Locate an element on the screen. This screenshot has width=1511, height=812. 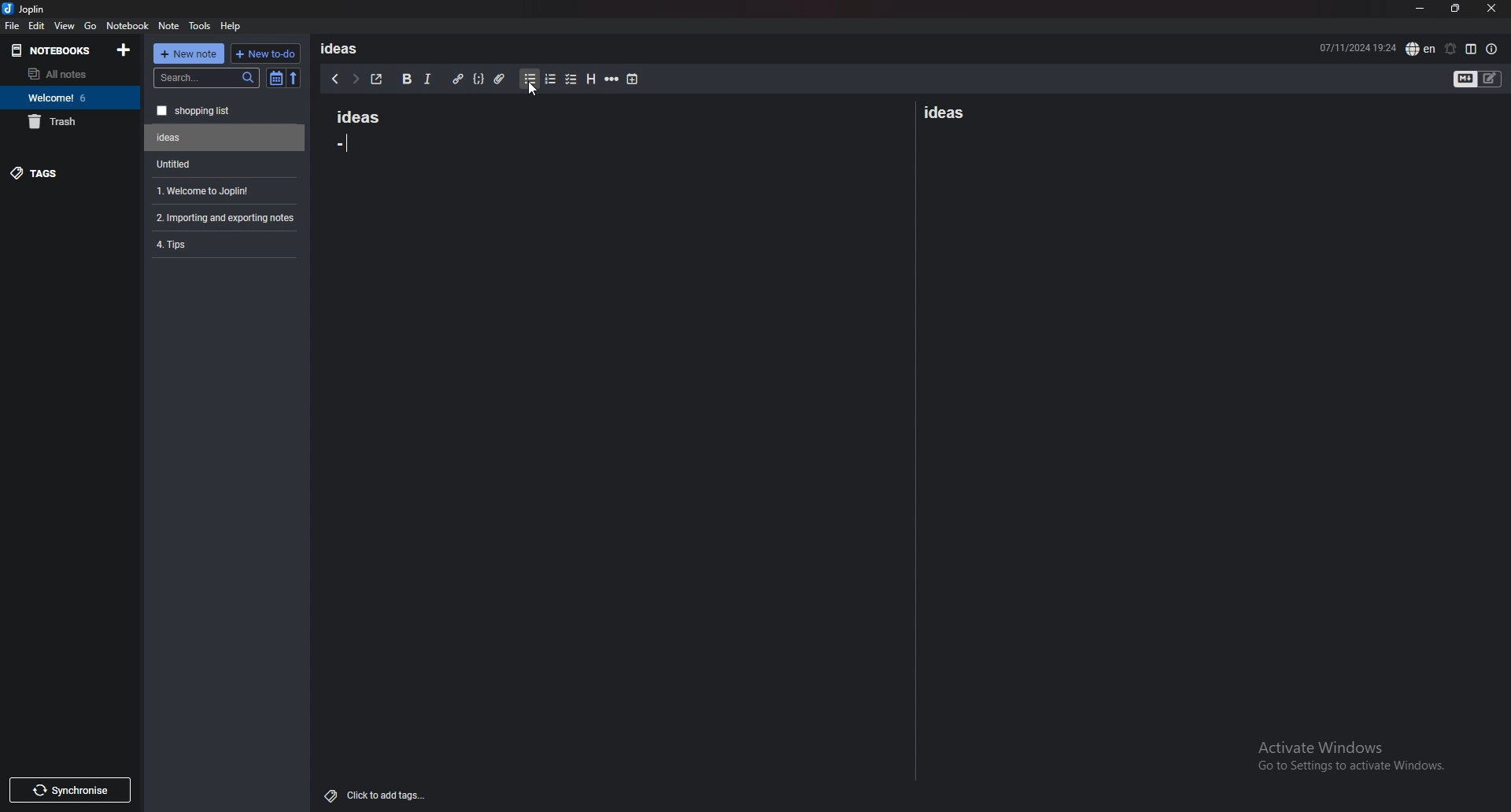
ideas is located at coordinates (350, 115).